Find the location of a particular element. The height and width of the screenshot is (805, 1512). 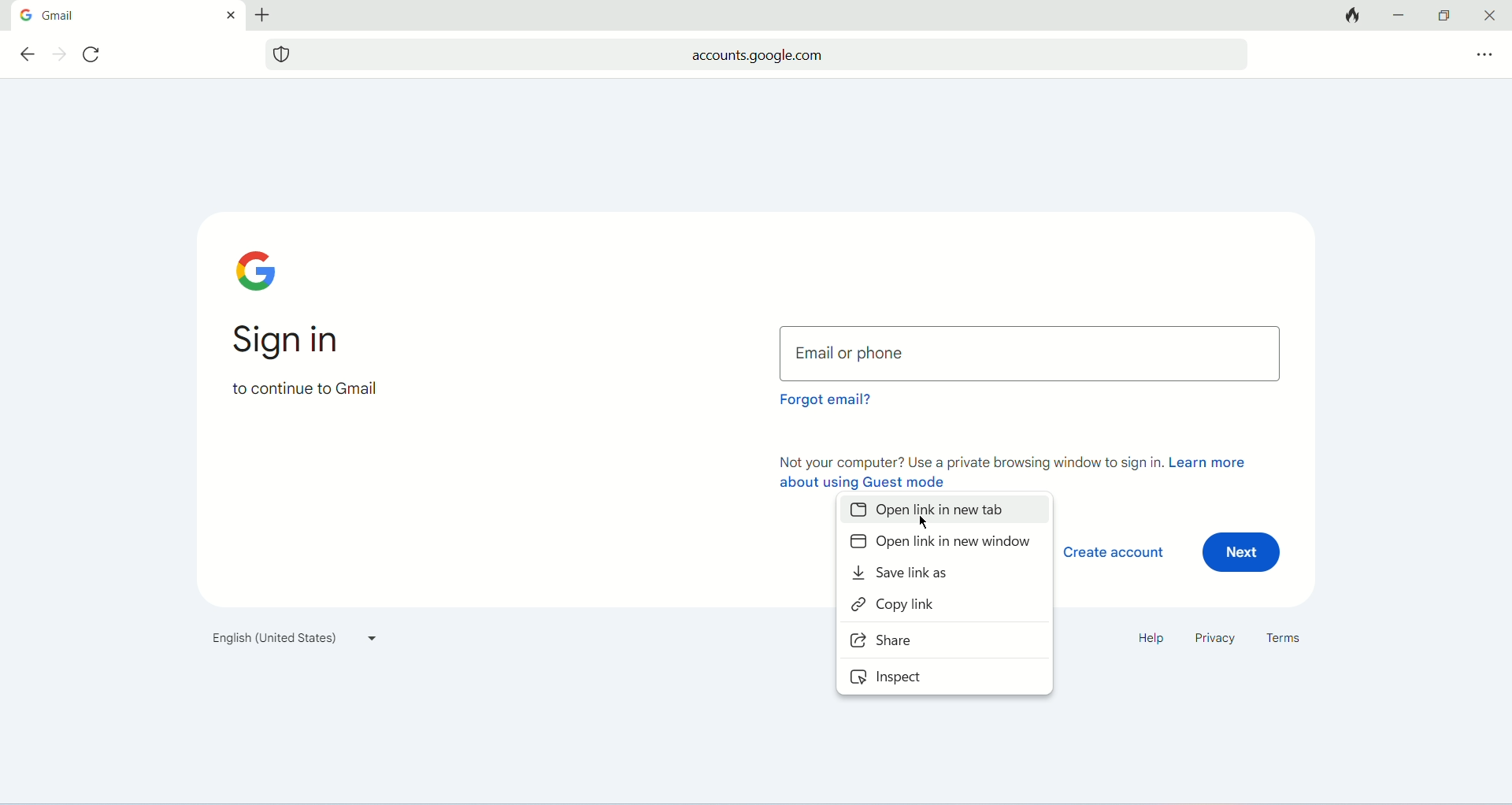

language is located at coordinates (291, 641).